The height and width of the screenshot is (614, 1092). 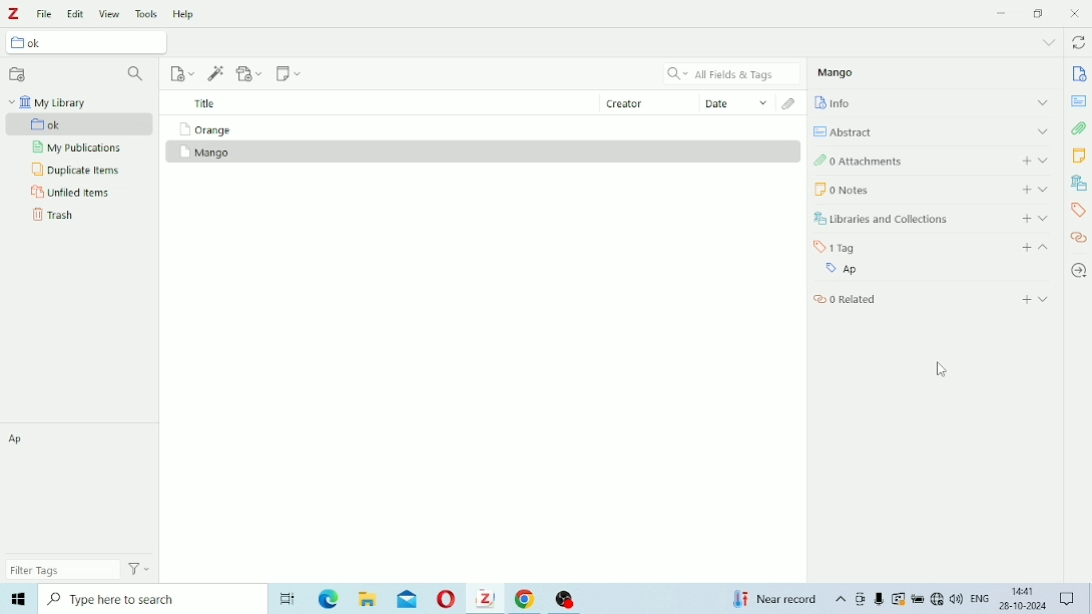 I want to click on My Library, so click(x=49, y=100).